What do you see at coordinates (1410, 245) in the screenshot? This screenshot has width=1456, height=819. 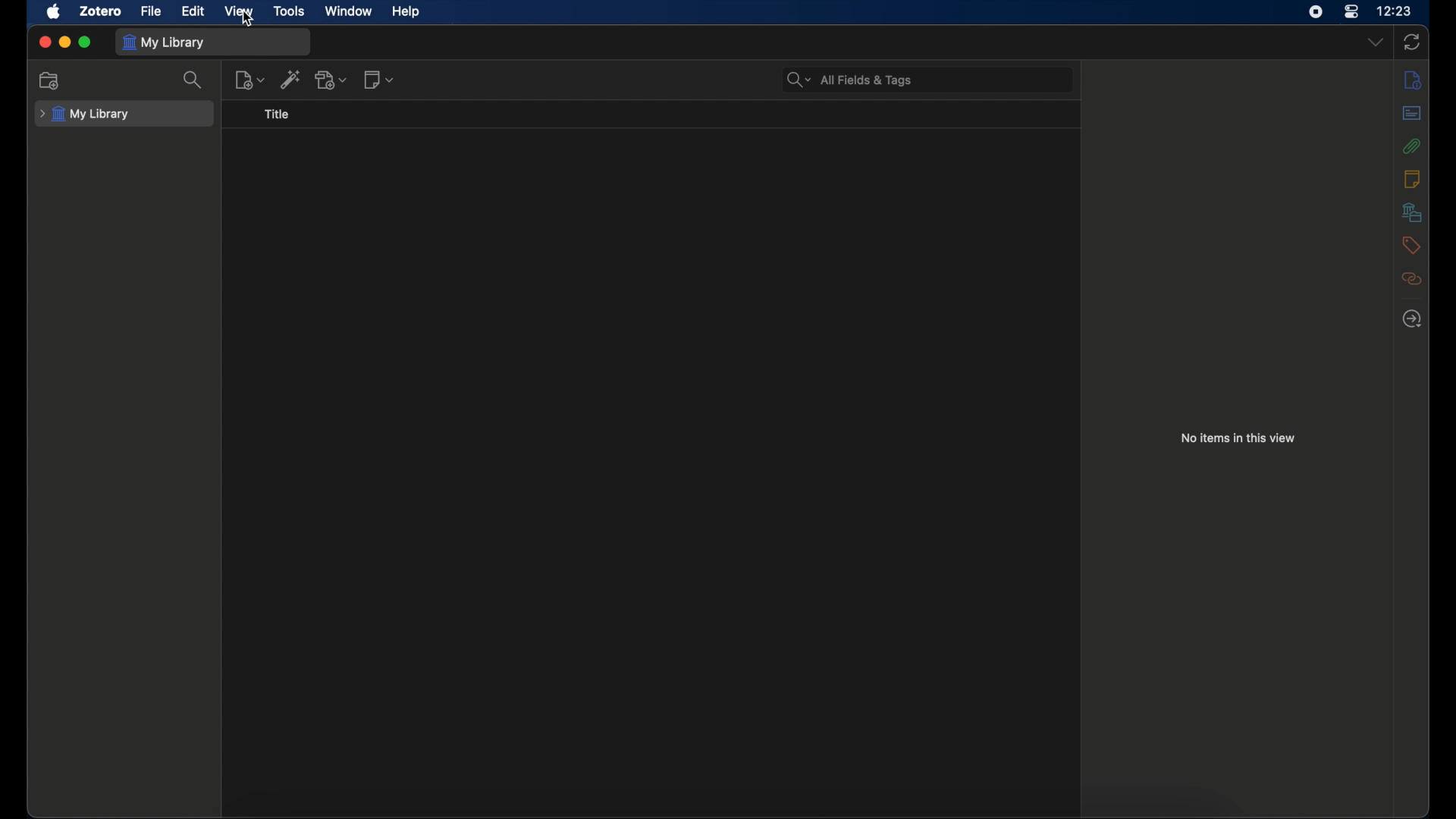 I see `tags` at bounding box center [1410, 245].